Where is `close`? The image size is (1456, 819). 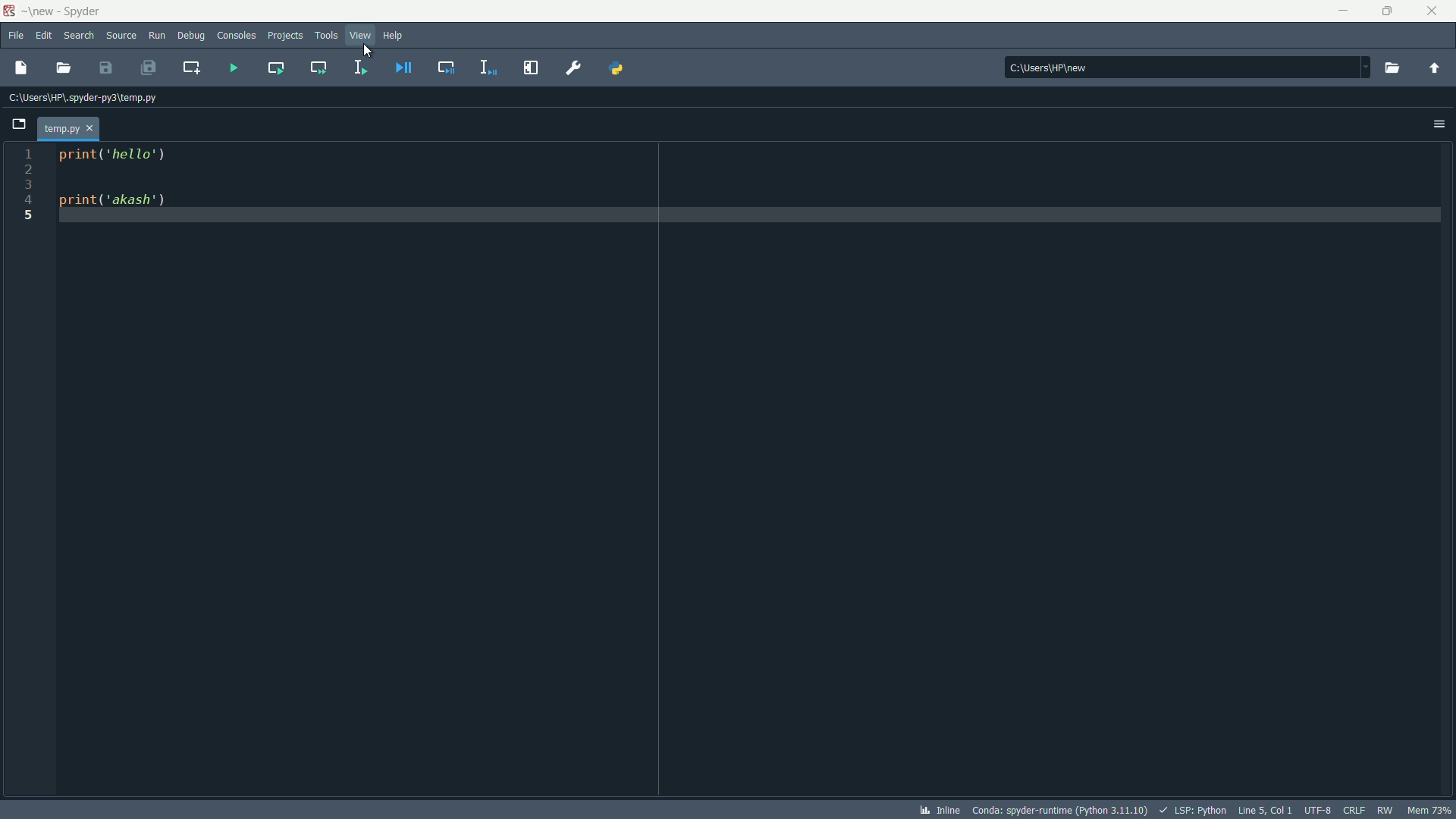 close is located at coordinates (1434, 11).